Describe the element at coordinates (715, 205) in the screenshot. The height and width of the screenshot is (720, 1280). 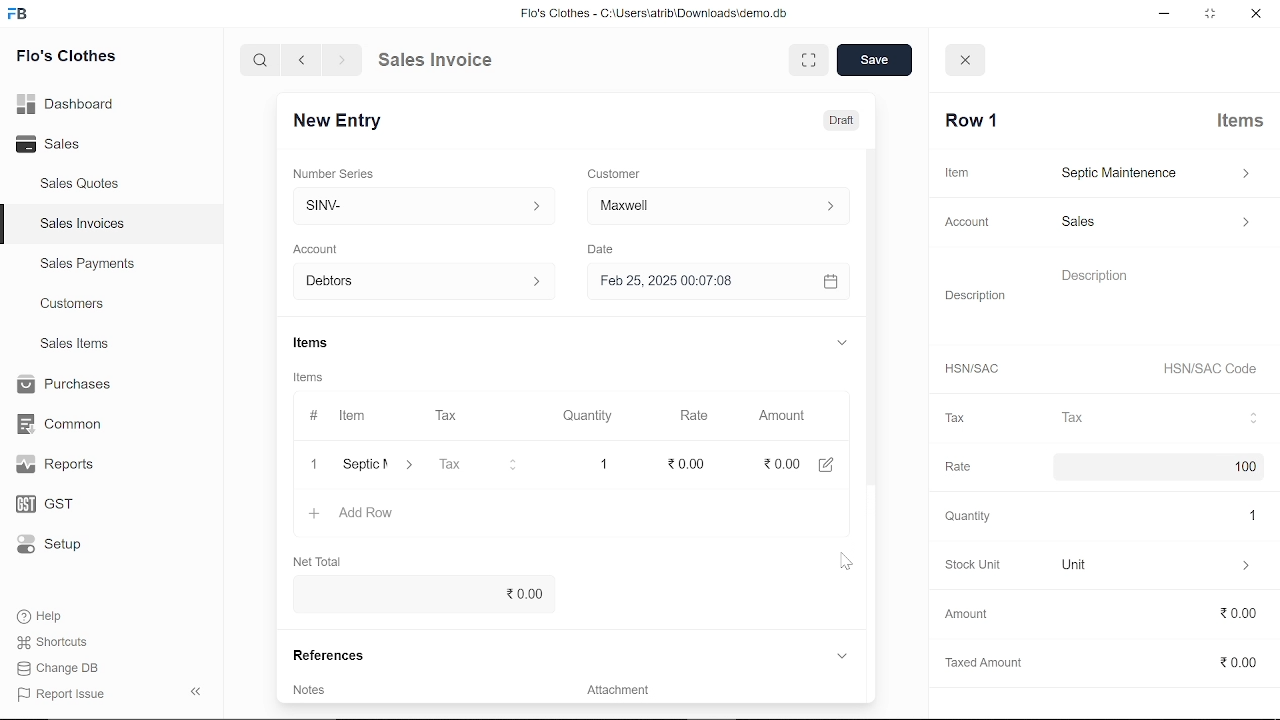
I see `Insert Customer` at that location.